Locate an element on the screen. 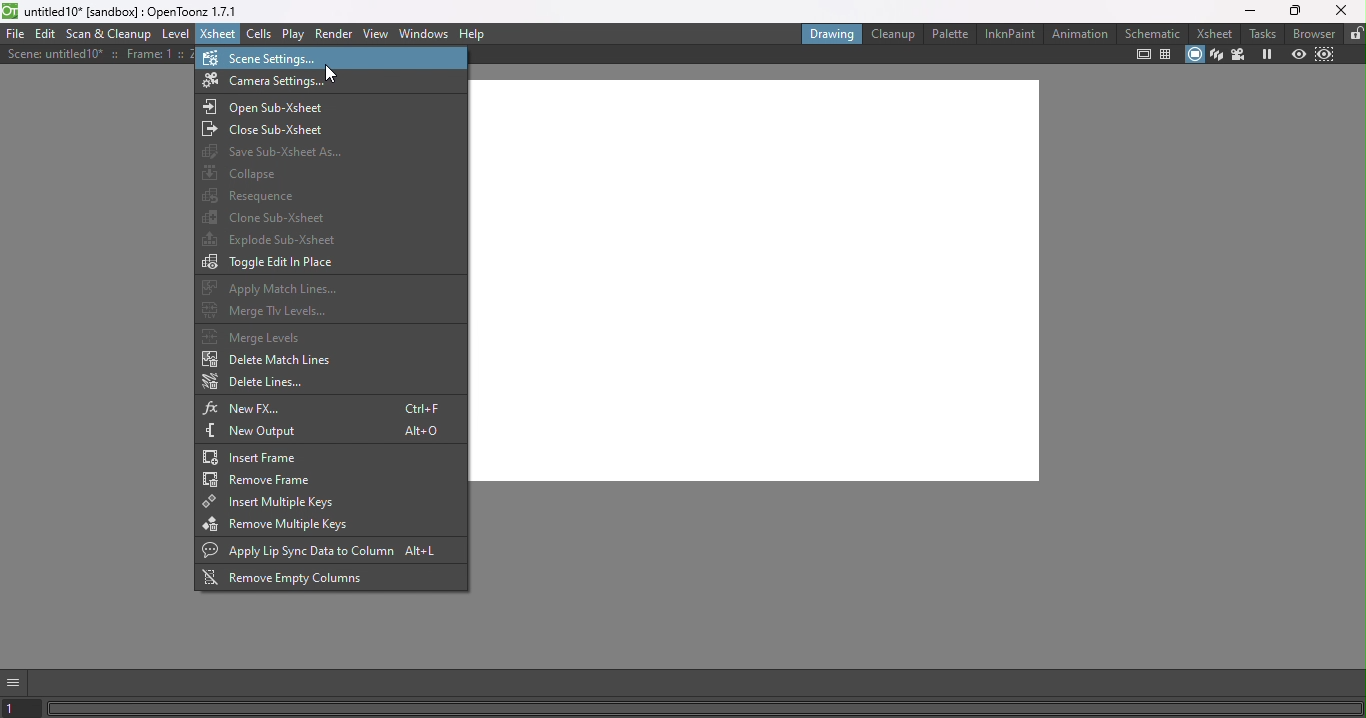 The height and width of the screenshot is (718, 1366). Cursor is located at coordinates (333, 74).